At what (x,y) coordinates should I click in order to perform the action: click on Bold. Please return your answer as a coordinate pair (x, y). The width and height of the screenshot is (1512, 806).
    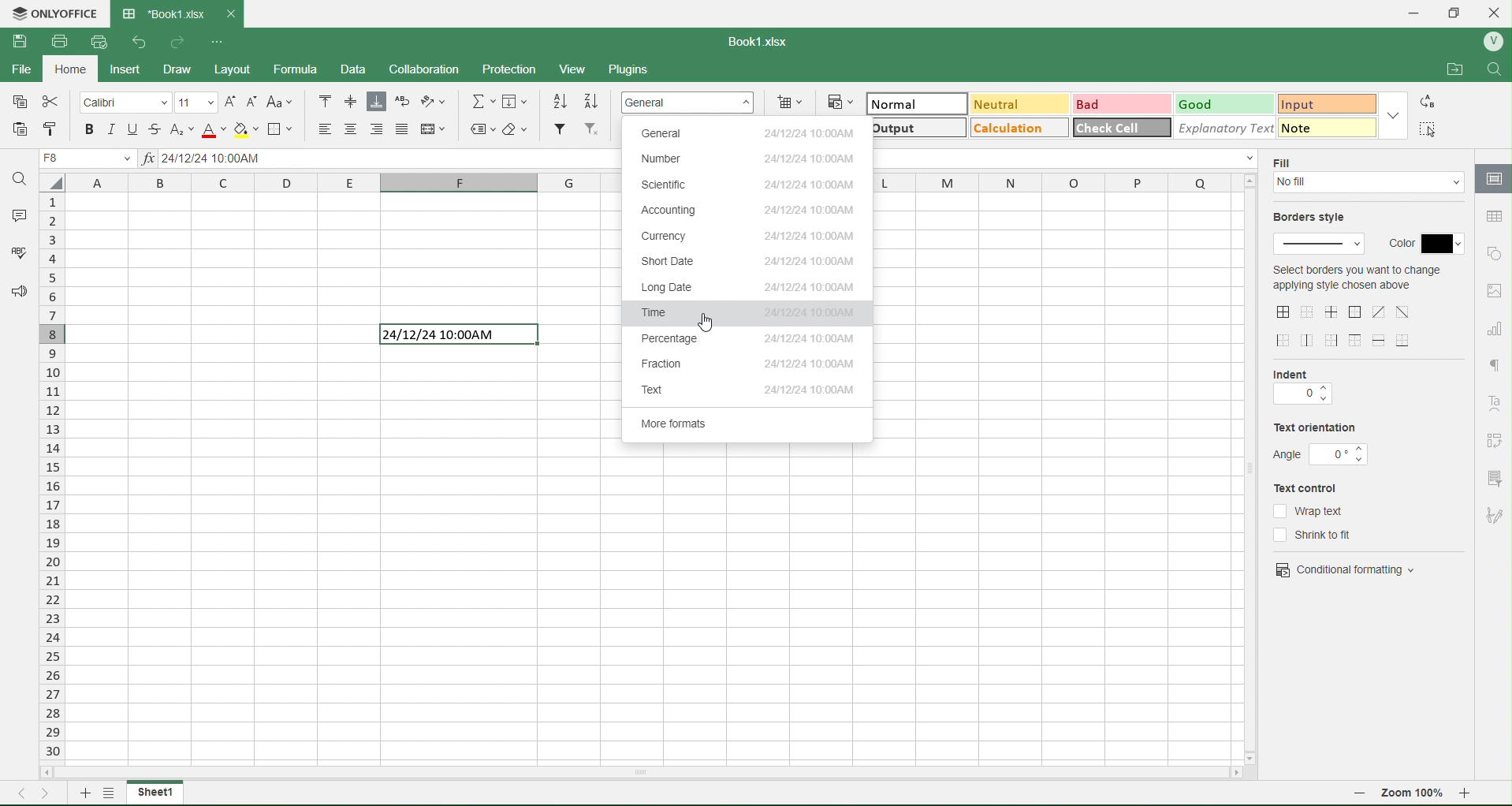
    Looking at the image, I should click on (90, 129).